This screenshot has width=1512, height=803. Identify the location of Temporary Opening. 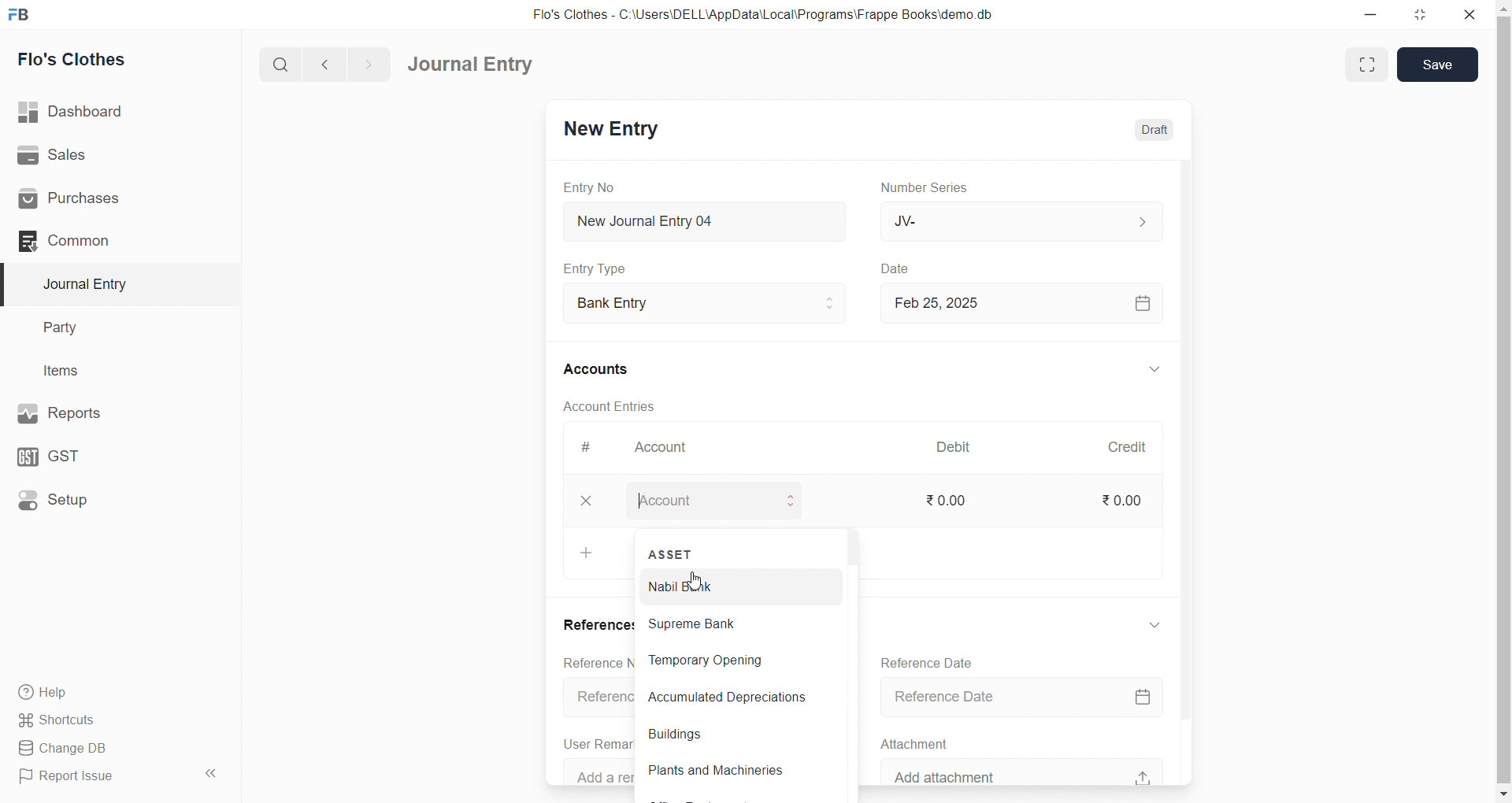
(729, 660).